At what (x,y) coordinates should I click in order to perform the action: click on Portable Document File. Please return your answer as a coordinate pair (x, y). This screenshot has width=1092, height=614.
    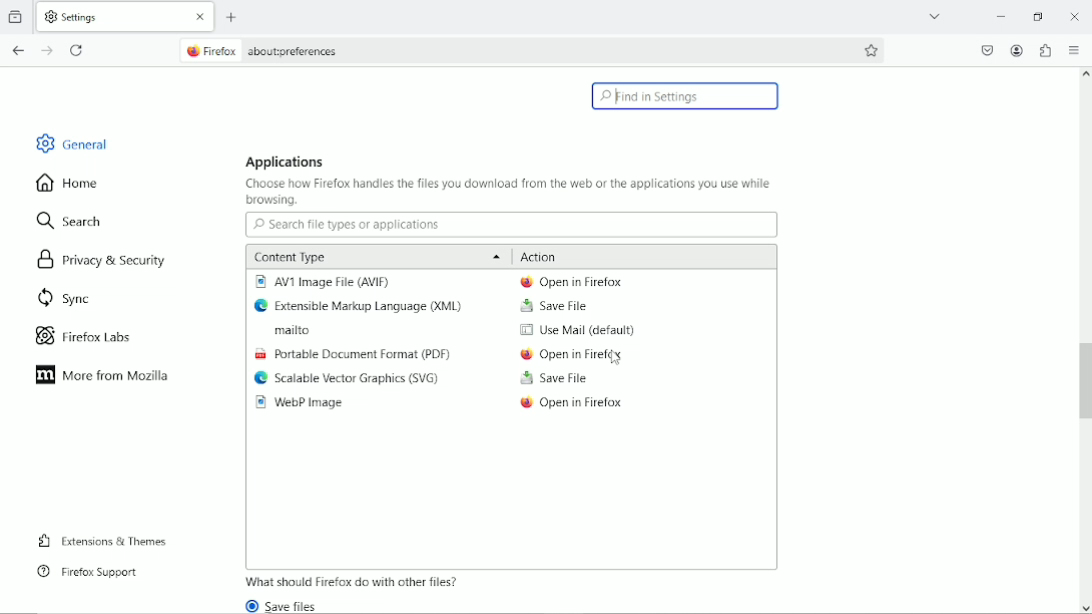
    Looking at the image, I should click on (352, 355).